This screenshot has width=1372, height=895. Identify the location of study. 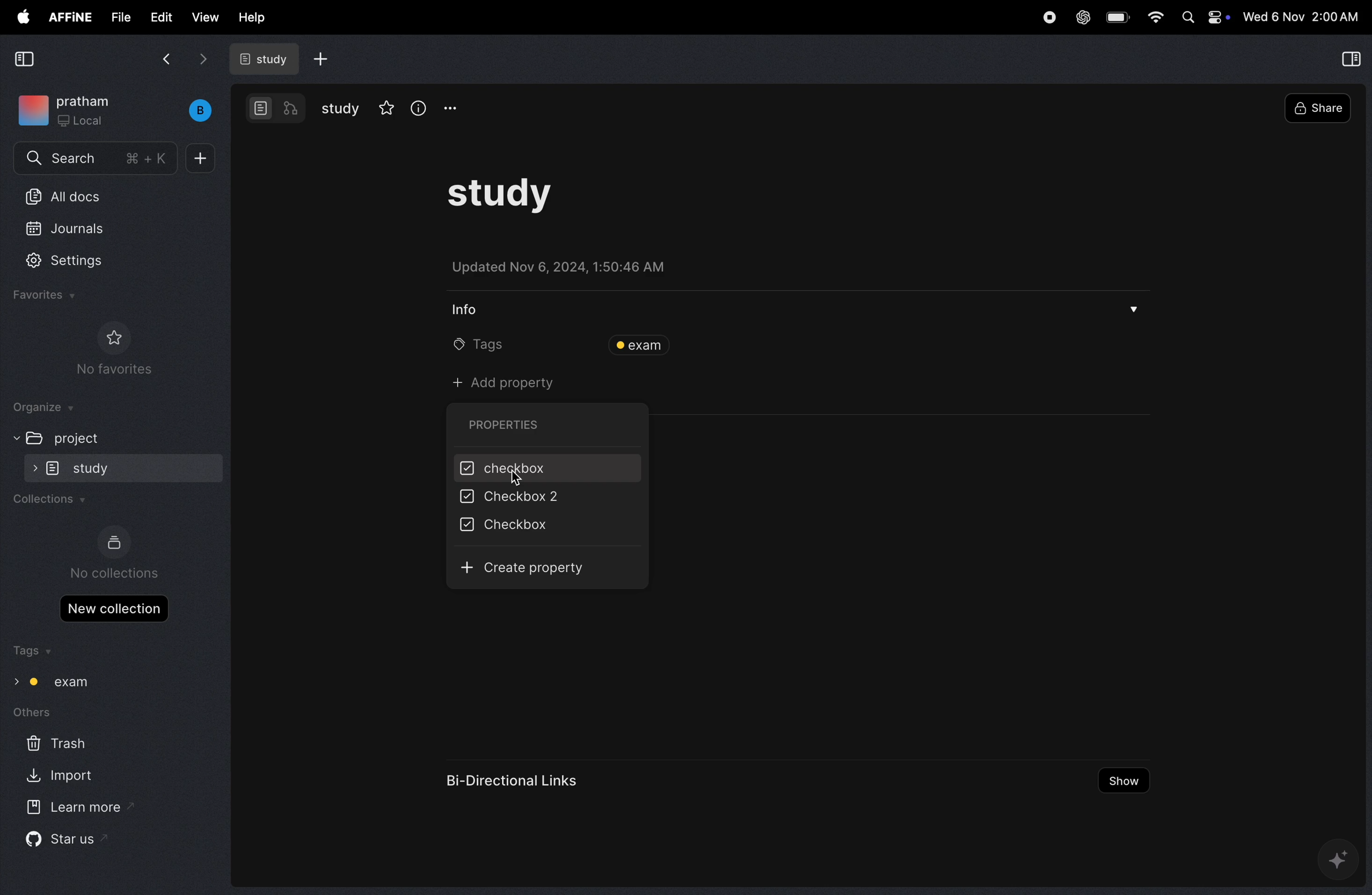
(123, 467).